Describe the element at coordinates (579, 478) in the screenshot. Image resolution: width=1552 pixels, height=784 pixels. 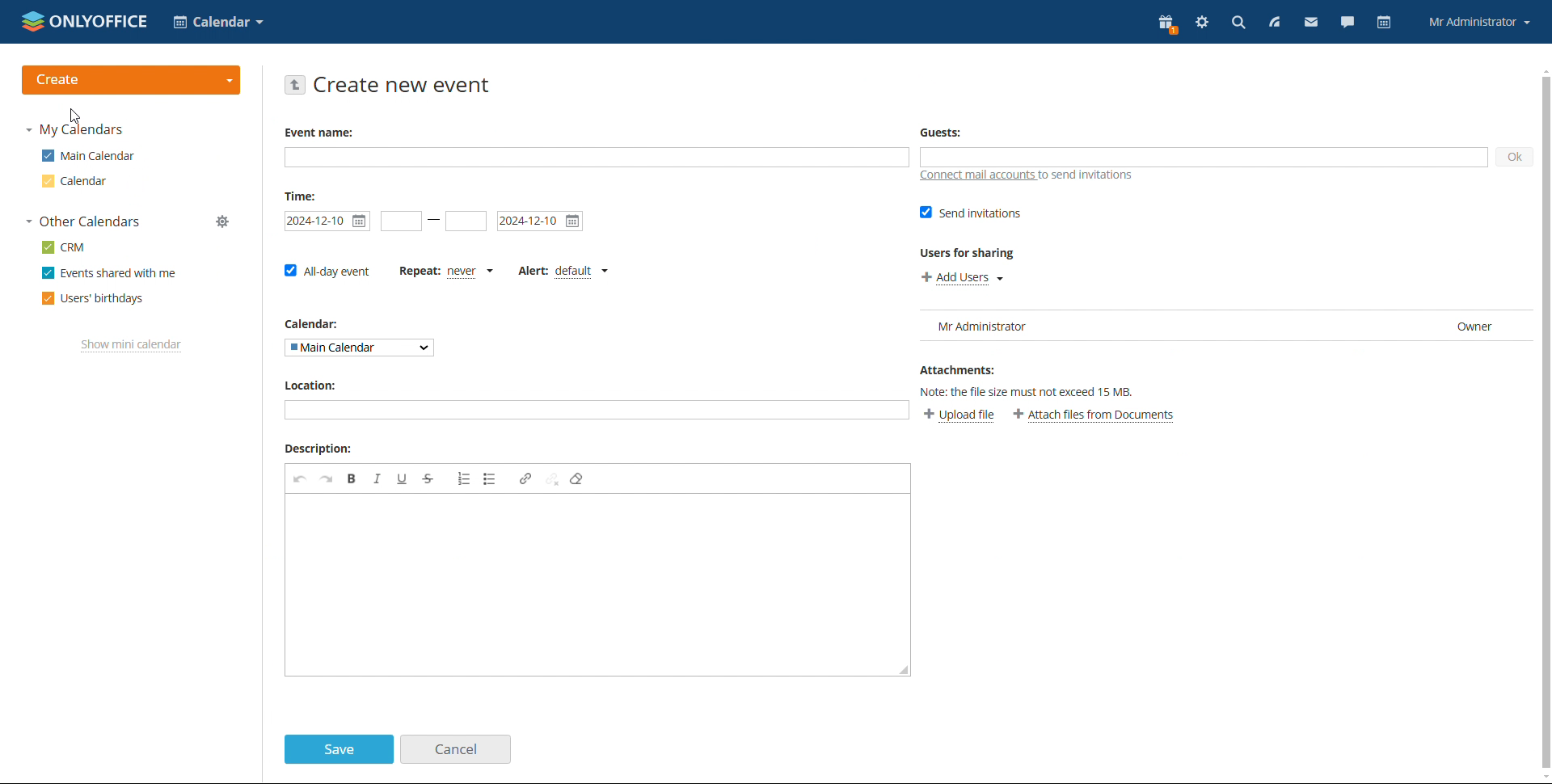
I see `remove format` at that location.